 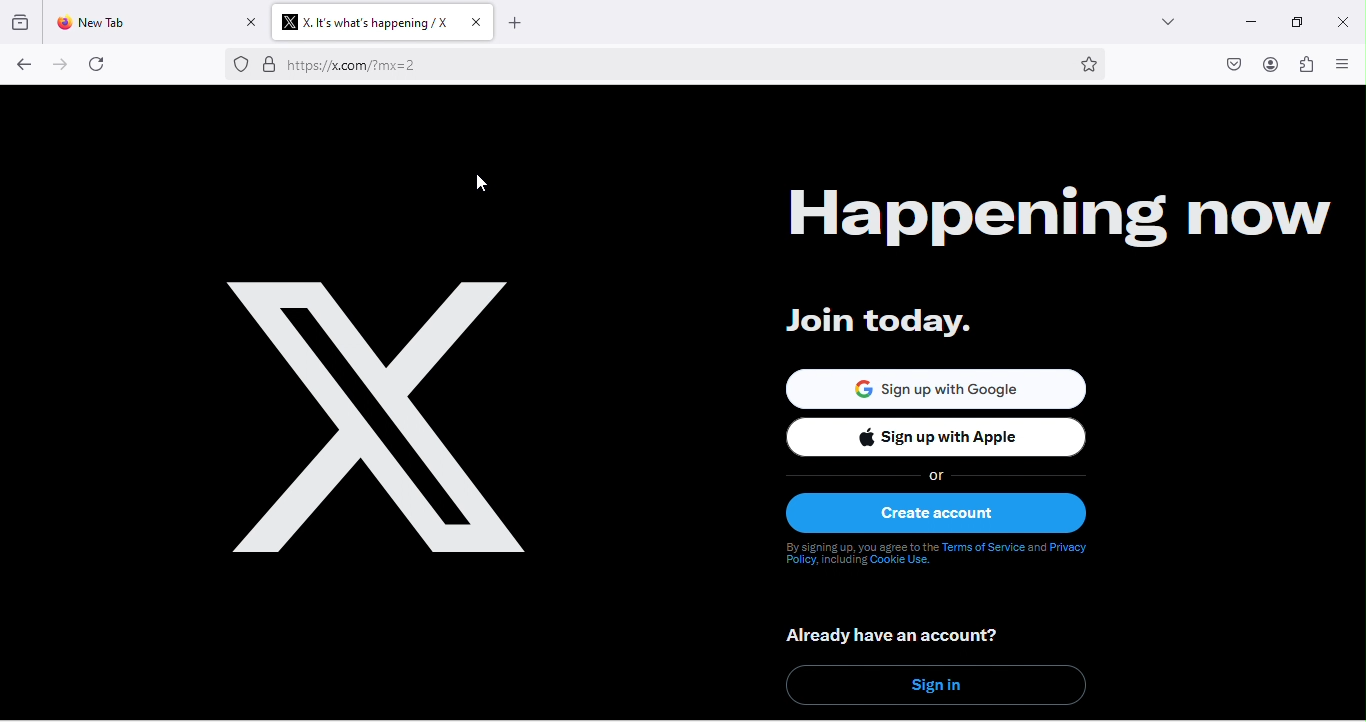 I want to click on bookmark, so click(x=1079, y=65).